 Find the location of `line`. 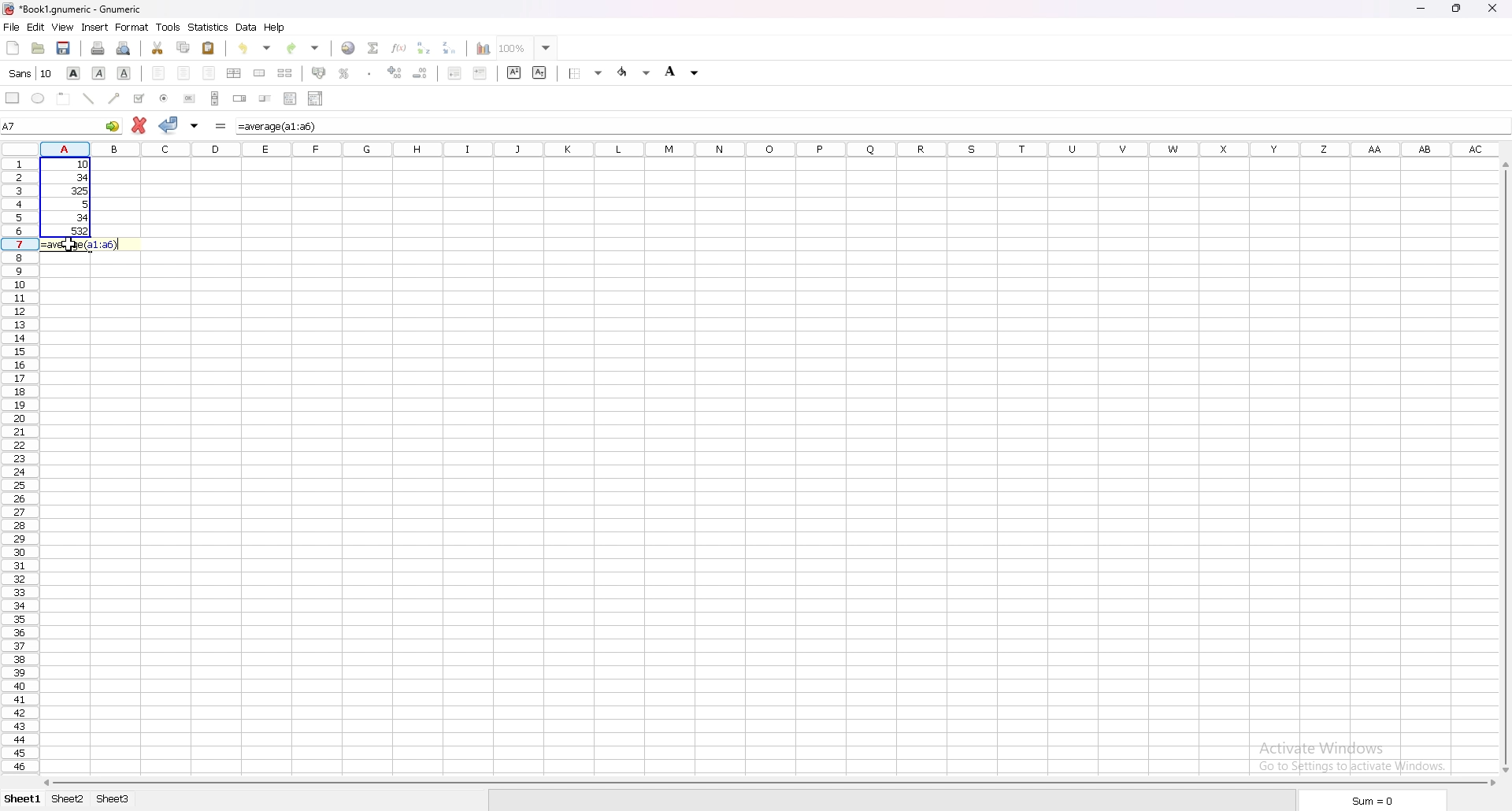

line is located at coordinates (87, 99).